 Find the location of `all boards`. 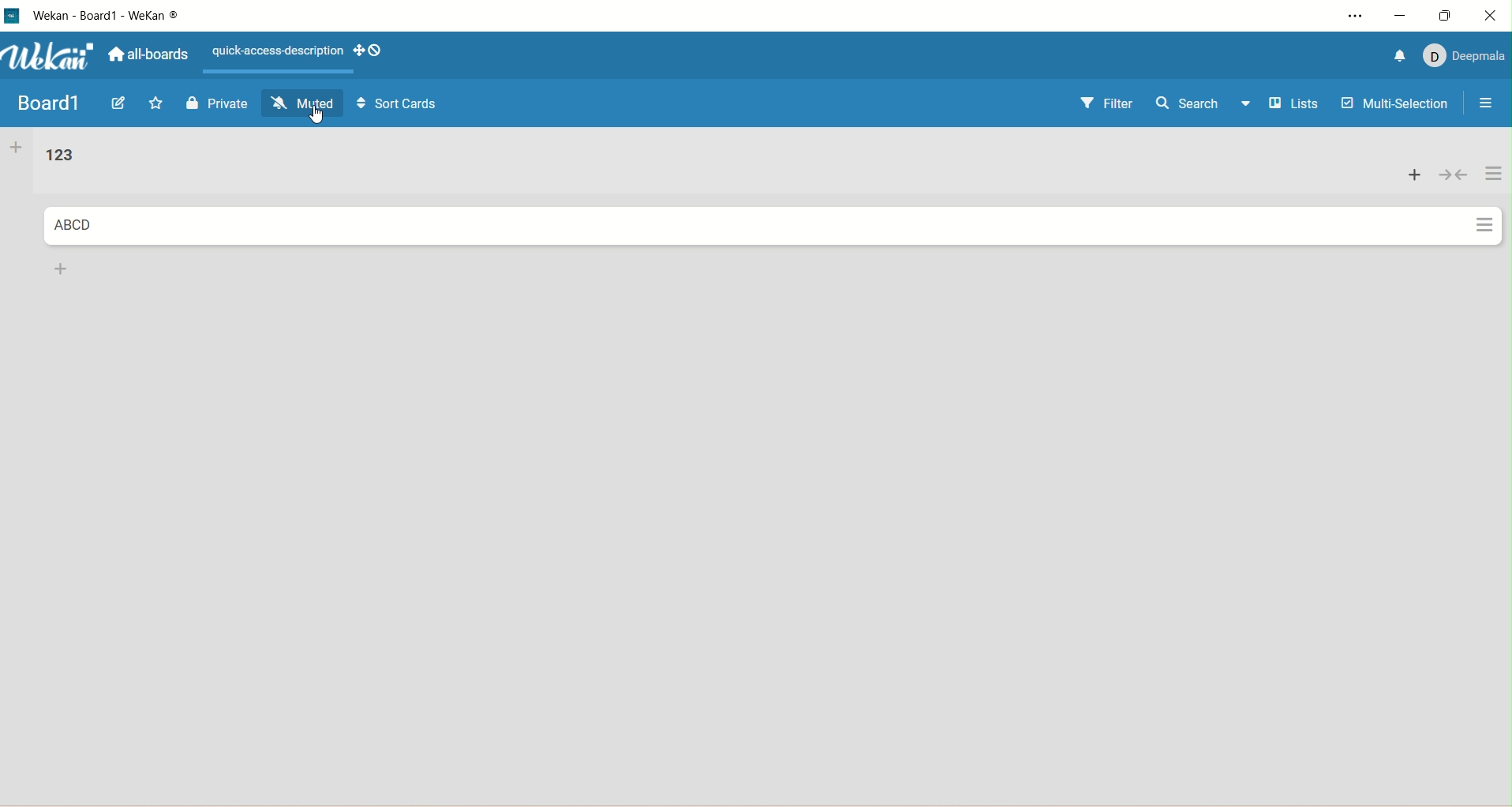

all boards is located at coordinates (147, 54).